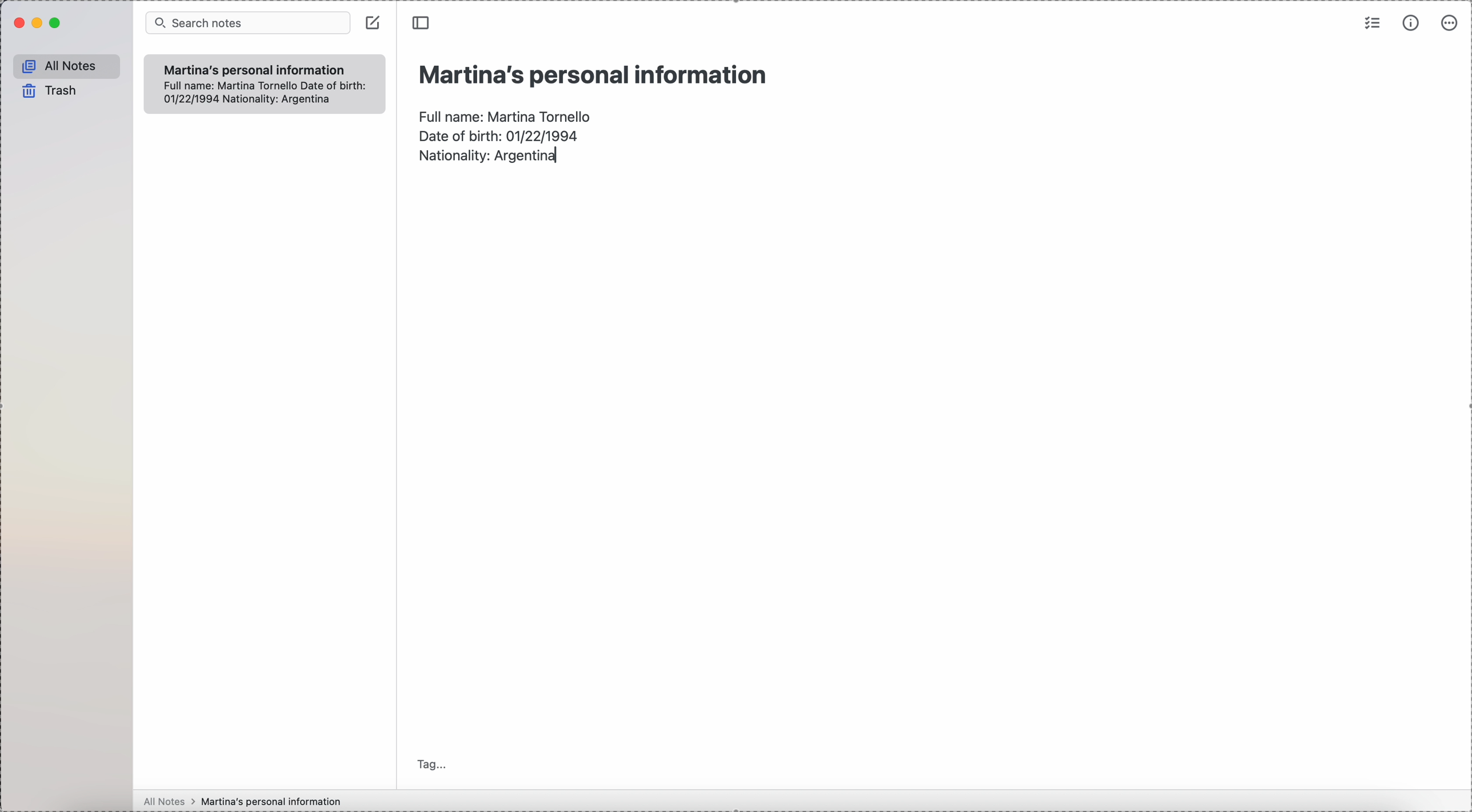 The image size is (1472, 812). I want to click on search bar, so click(249, 23).